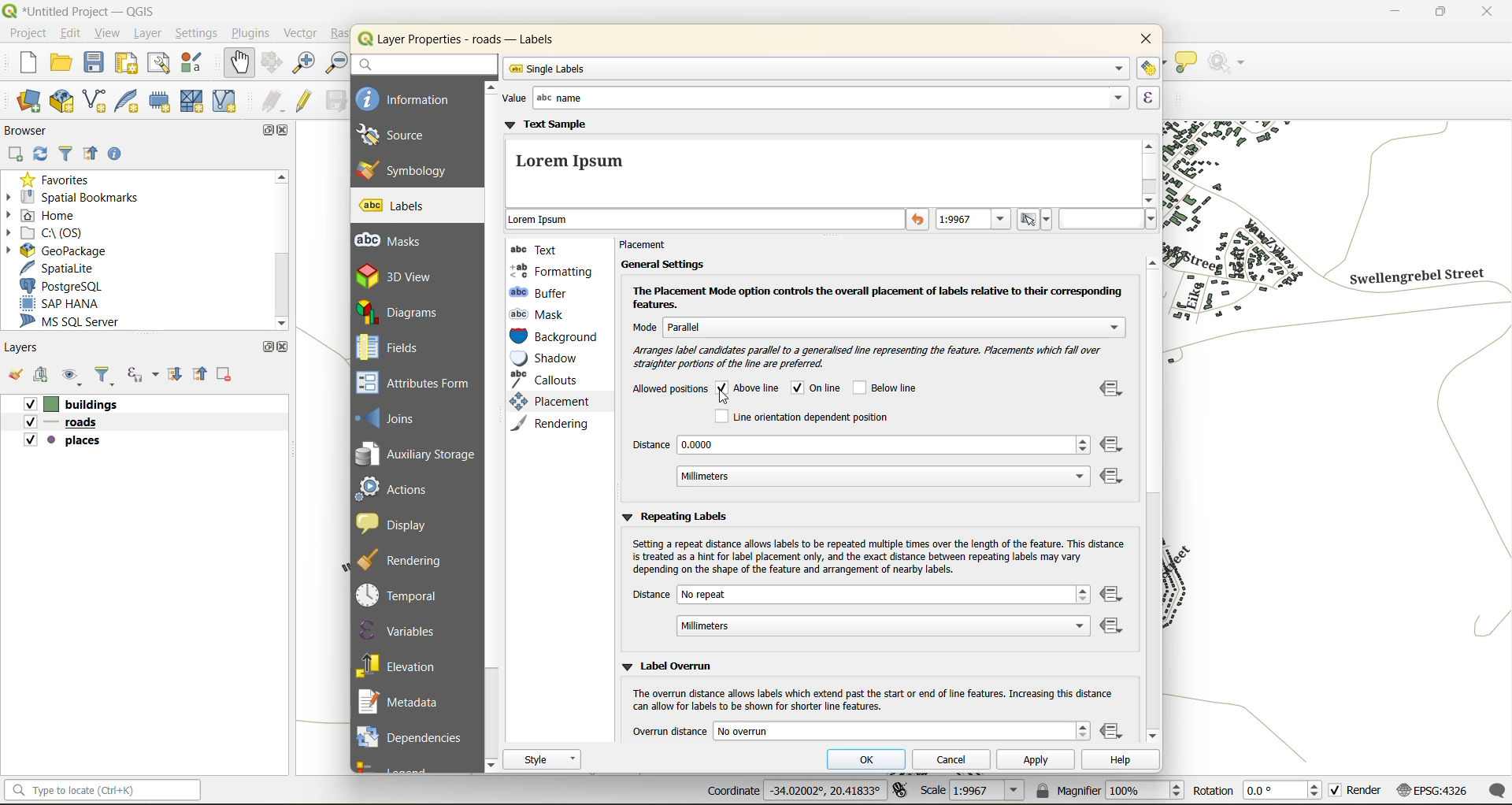  What do you see at coordinates (106, 377) in the screenshot?
I see `filter ` at bounding box center [106, 377].